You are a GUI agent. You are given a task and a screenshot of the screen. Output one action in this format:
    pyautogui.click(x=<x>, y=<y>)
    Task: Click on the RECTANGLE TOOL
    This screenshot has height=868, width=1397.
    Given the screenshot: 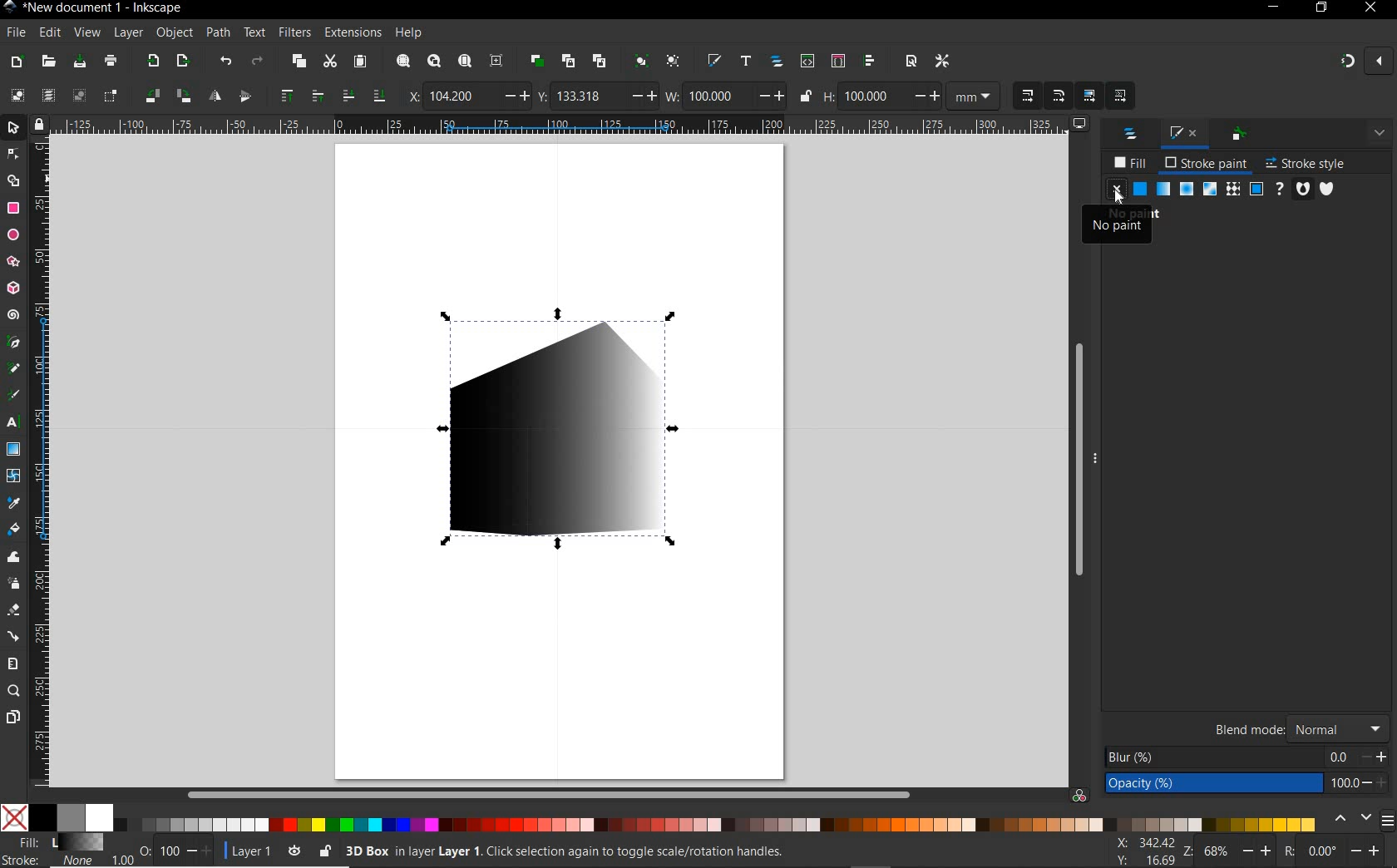 What is the action you would take?
    pyautogui.click(x=14, y=210)
    